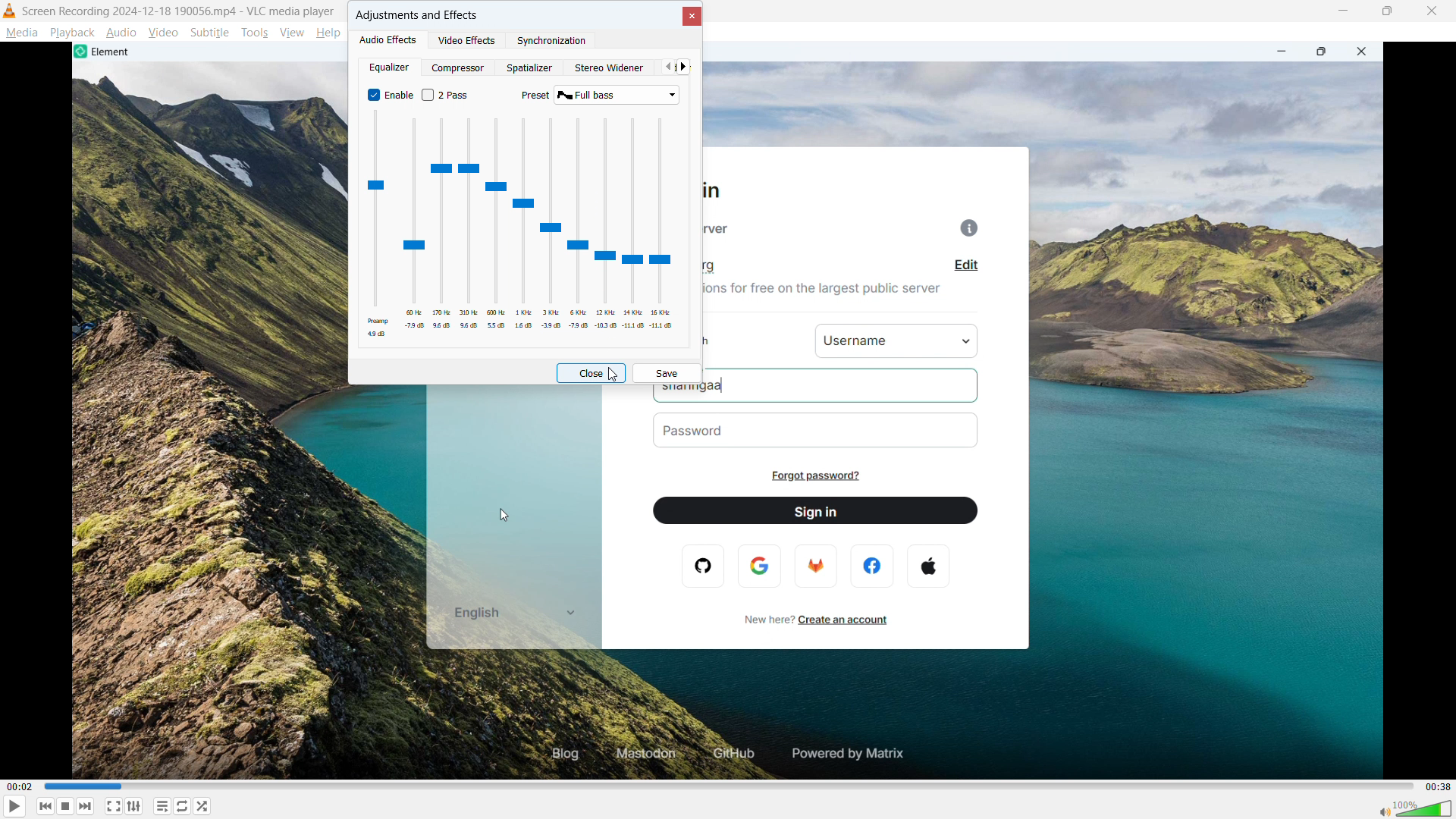  What do you see at coordinates (610, 373) in the screenshot?
I see `Cursor` at bounding box center [610, 373].